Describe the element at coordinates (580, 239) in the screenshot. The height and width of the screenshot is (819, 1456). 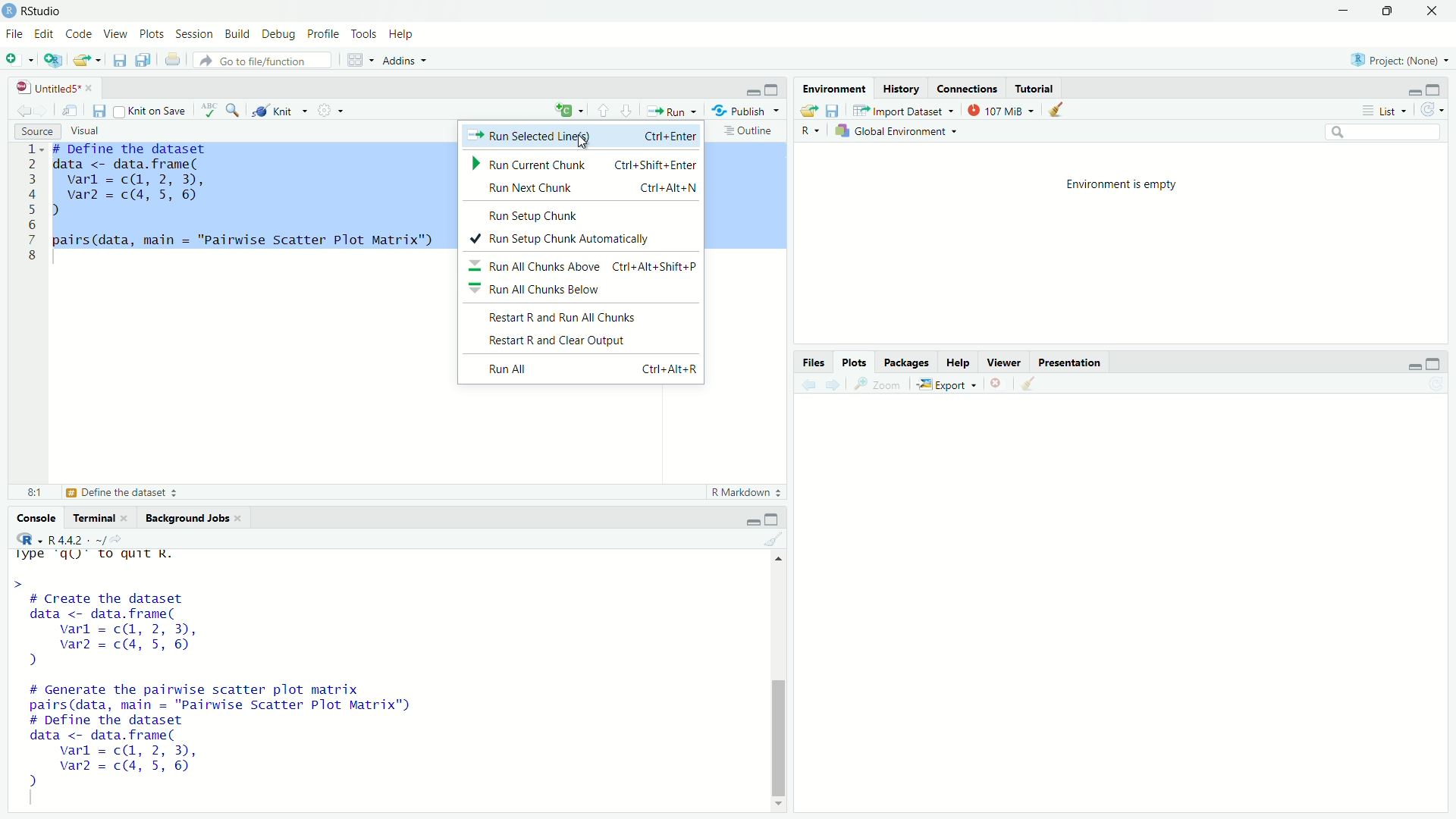
I see `+ Run Setup Chunk Automatically` at that location.